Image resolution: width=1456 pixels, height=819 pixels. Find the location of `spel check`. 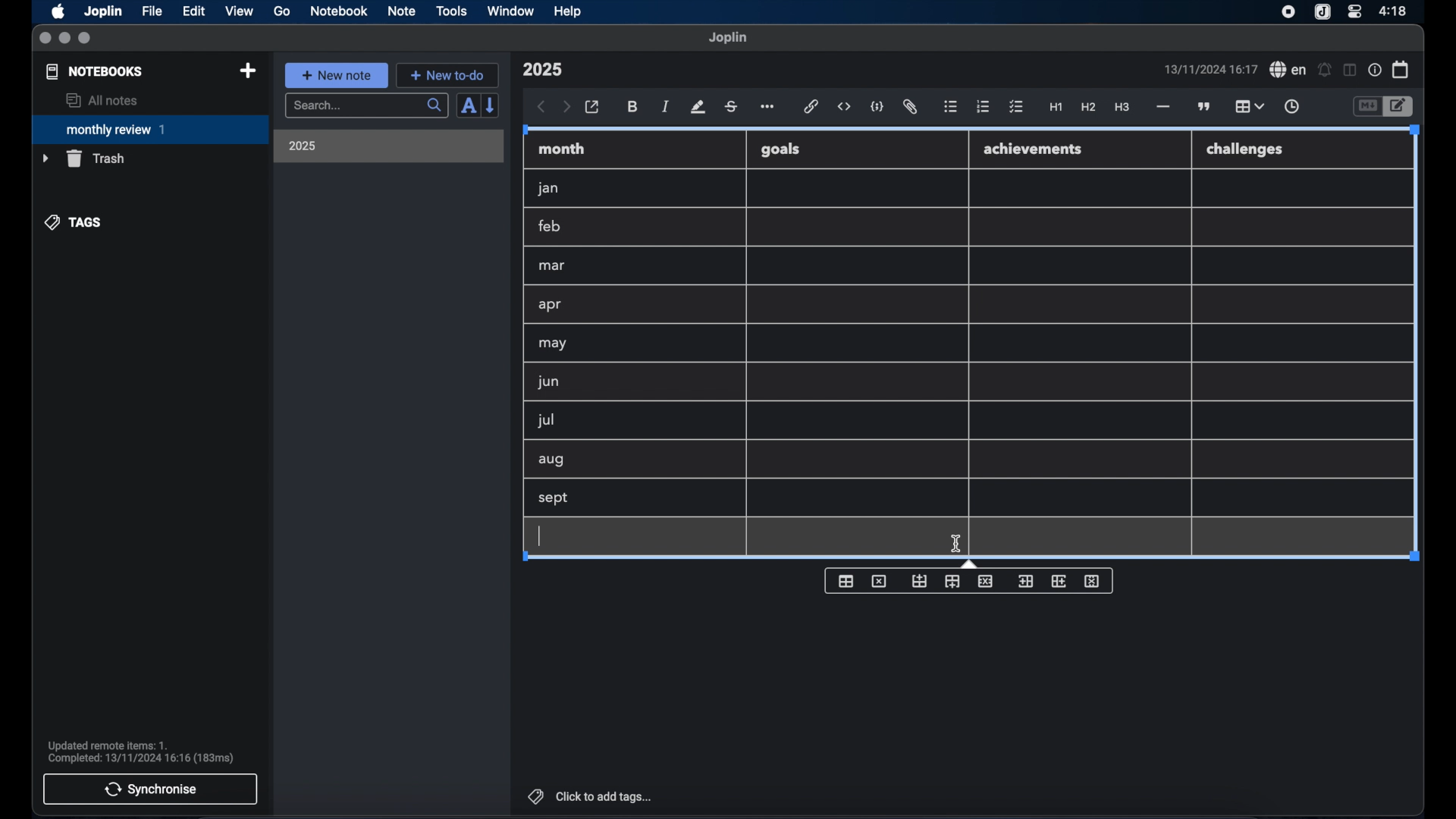

spel check is located at coordinates (1288, 70).